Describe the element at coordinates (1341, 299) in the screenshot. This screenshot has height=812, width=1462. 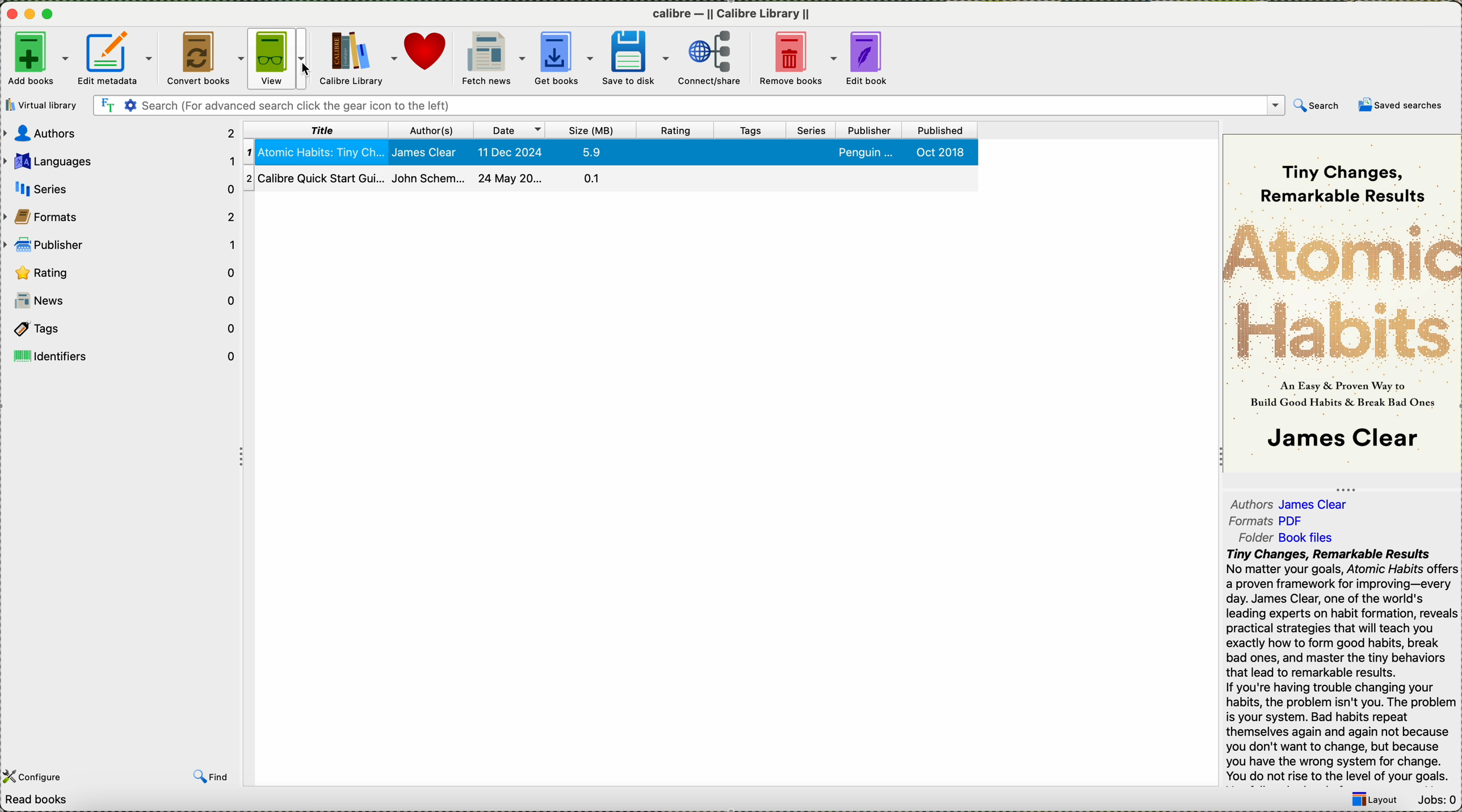
I see `~~ Tiny Changes,

~ Remarkable Results
A A — & Proven Way to :
Build Good Habits & Break Bad On

I James Clear` at that location.